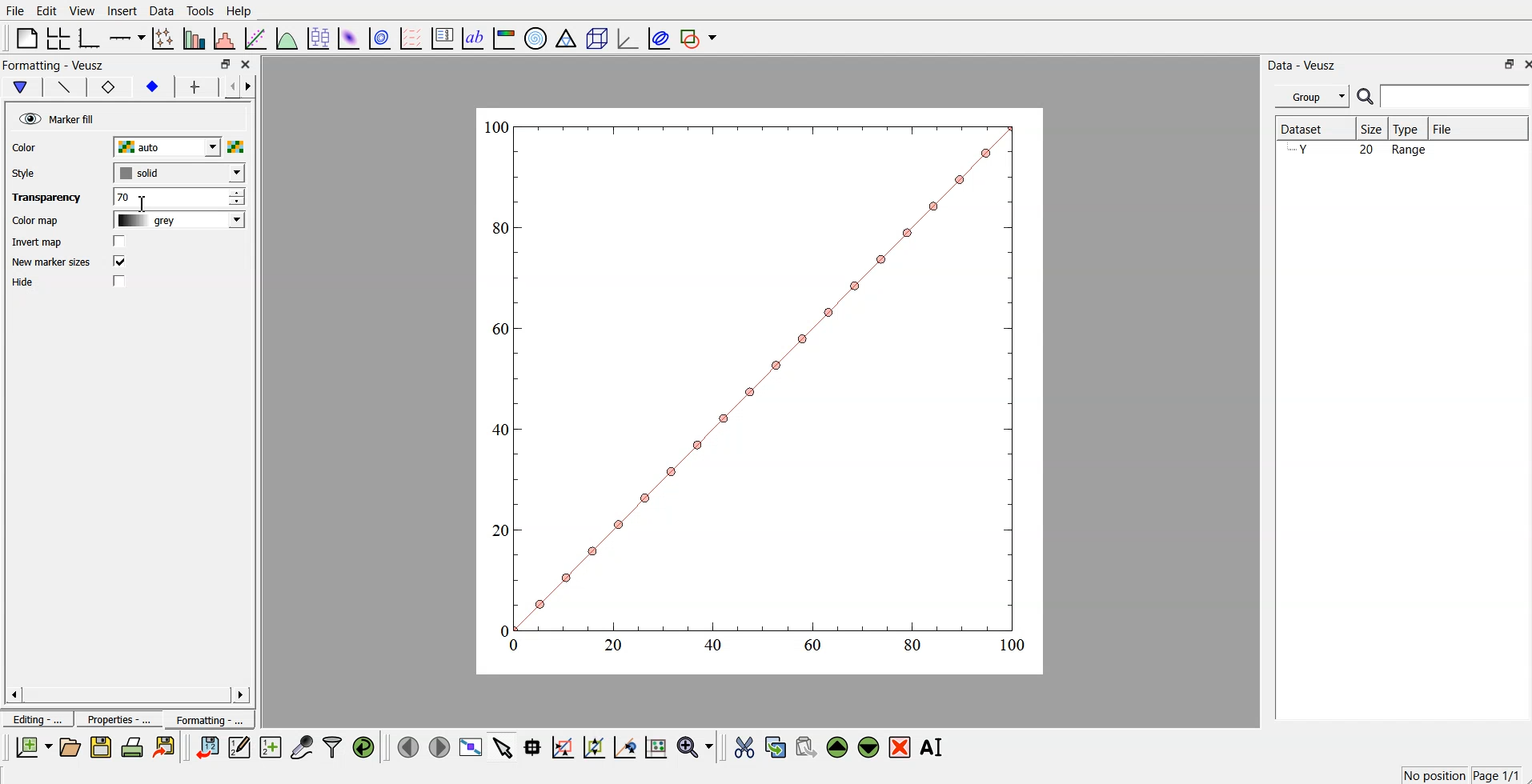 The image size is (1532, 784). Describe the element at coordinates (406, 746) in the screenshot. I see `Move to previous page` at that location.